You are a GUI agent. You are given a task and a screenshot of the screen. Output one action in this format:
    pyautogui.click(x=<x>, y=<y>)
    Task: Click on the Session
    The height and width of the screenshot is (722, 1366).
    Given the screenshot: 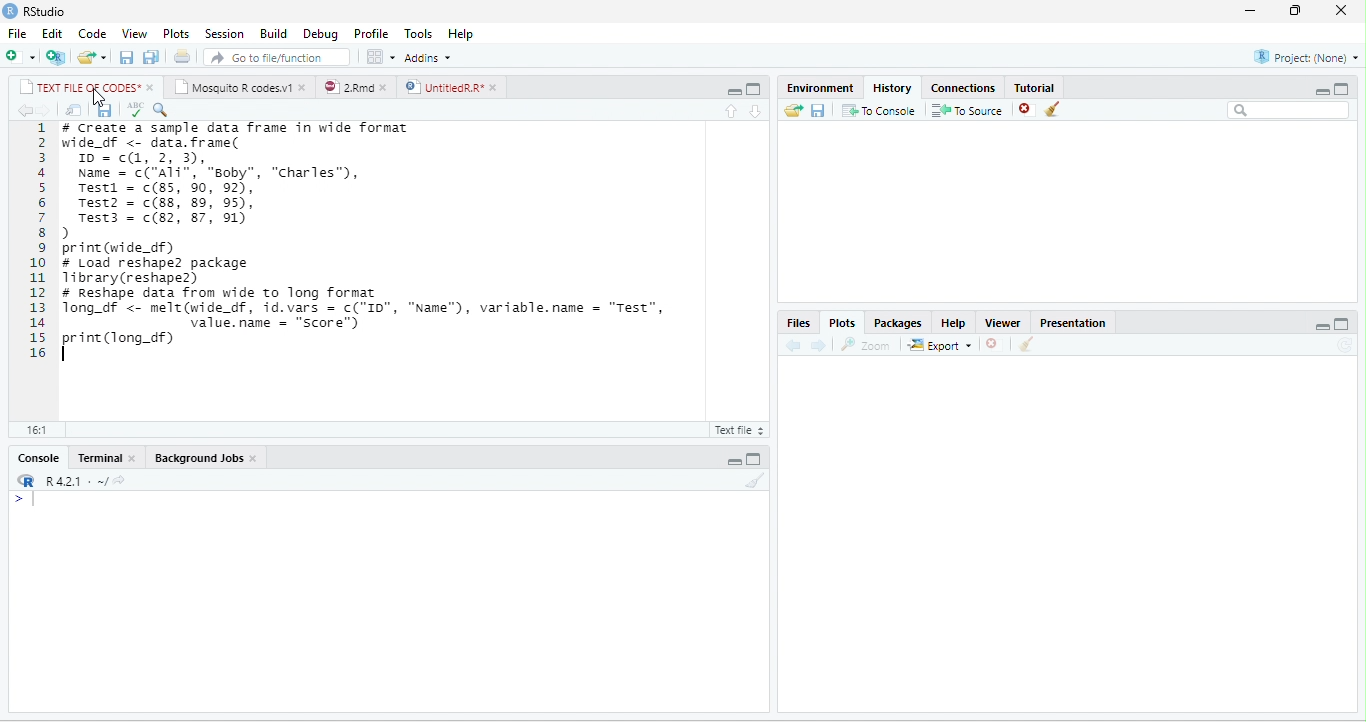 What is the action you would take?
    pyautogui.click(x=225, y=34)
    